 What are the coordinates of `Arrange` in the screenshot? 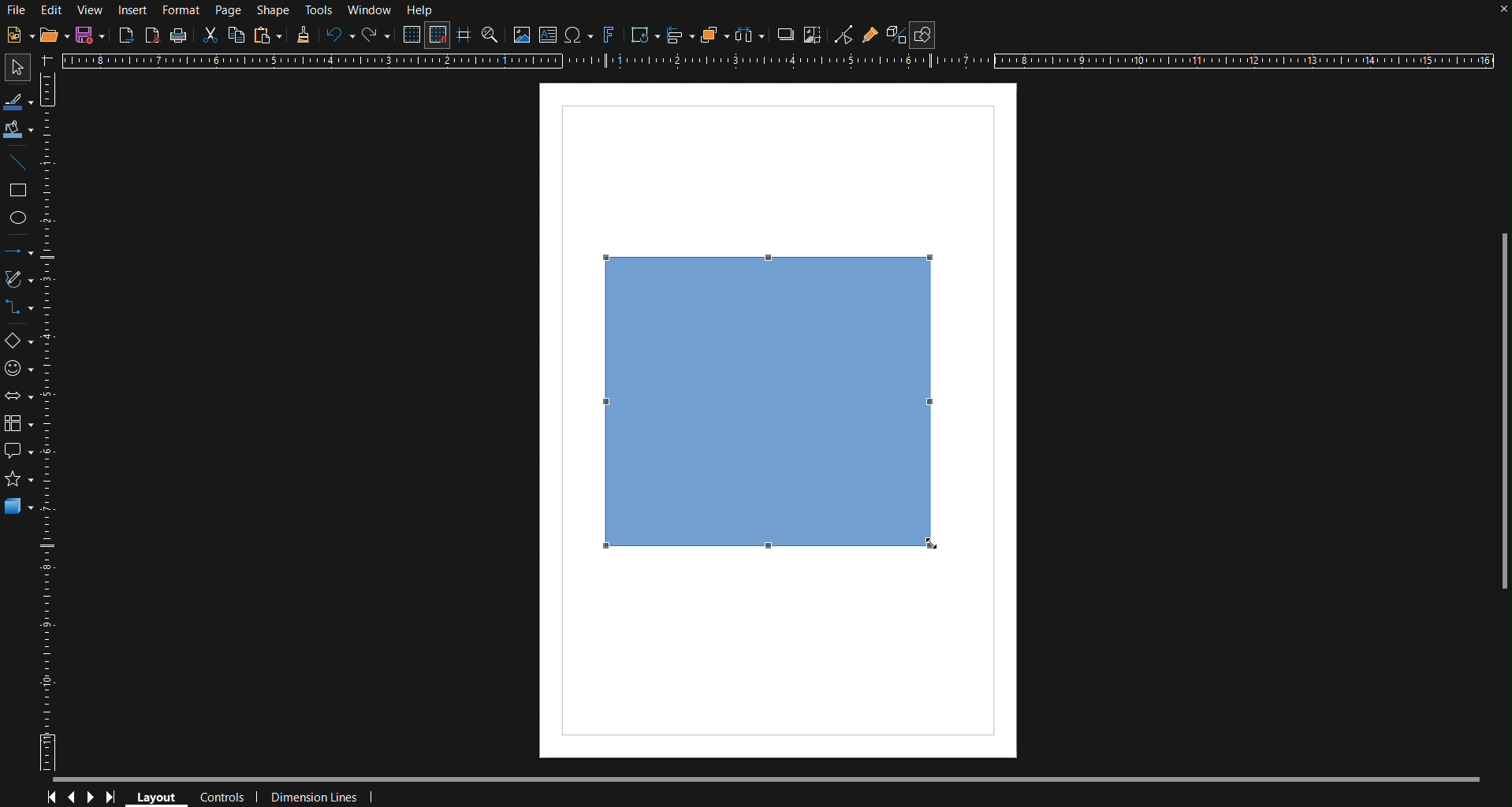 It's located at (715, 34).